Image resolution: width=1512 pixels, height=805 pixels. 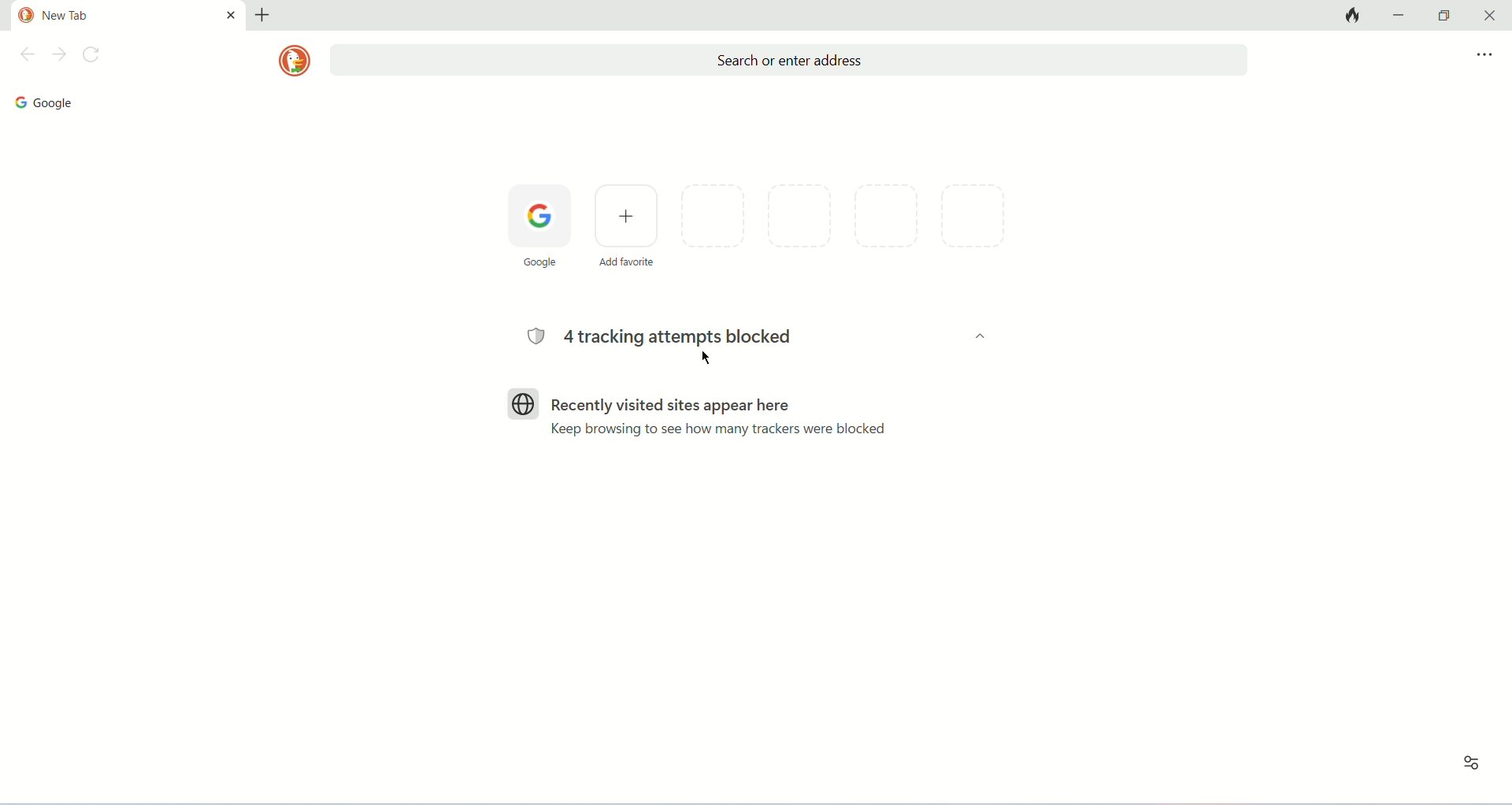 I want to click on search or enter address, so click(x=788, y=61).